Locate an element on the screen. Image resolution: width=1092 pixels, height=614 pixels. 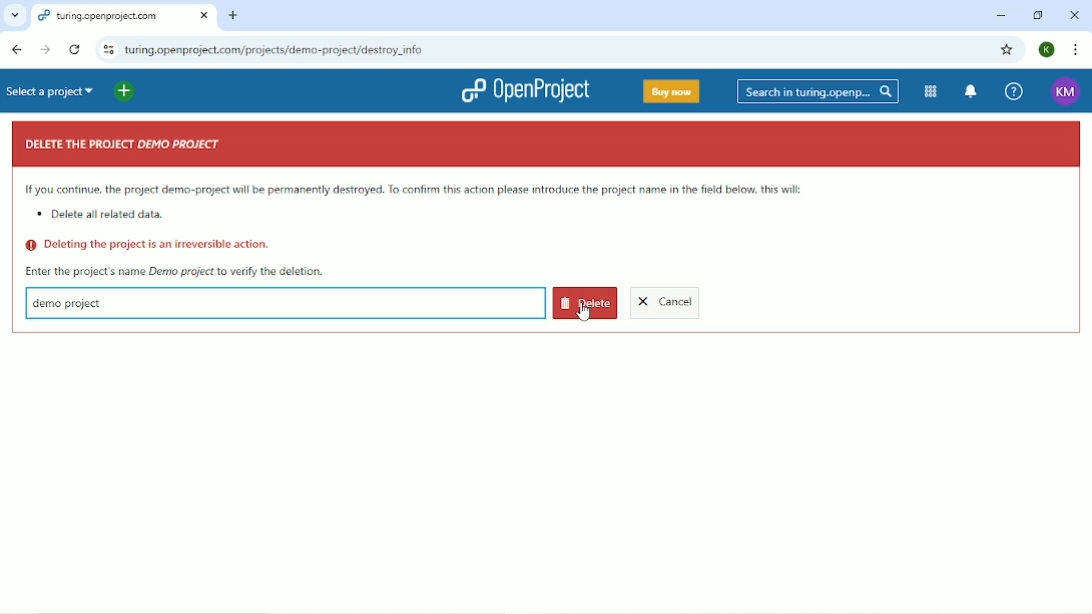
Buy now is located at coordinates (672, 91).